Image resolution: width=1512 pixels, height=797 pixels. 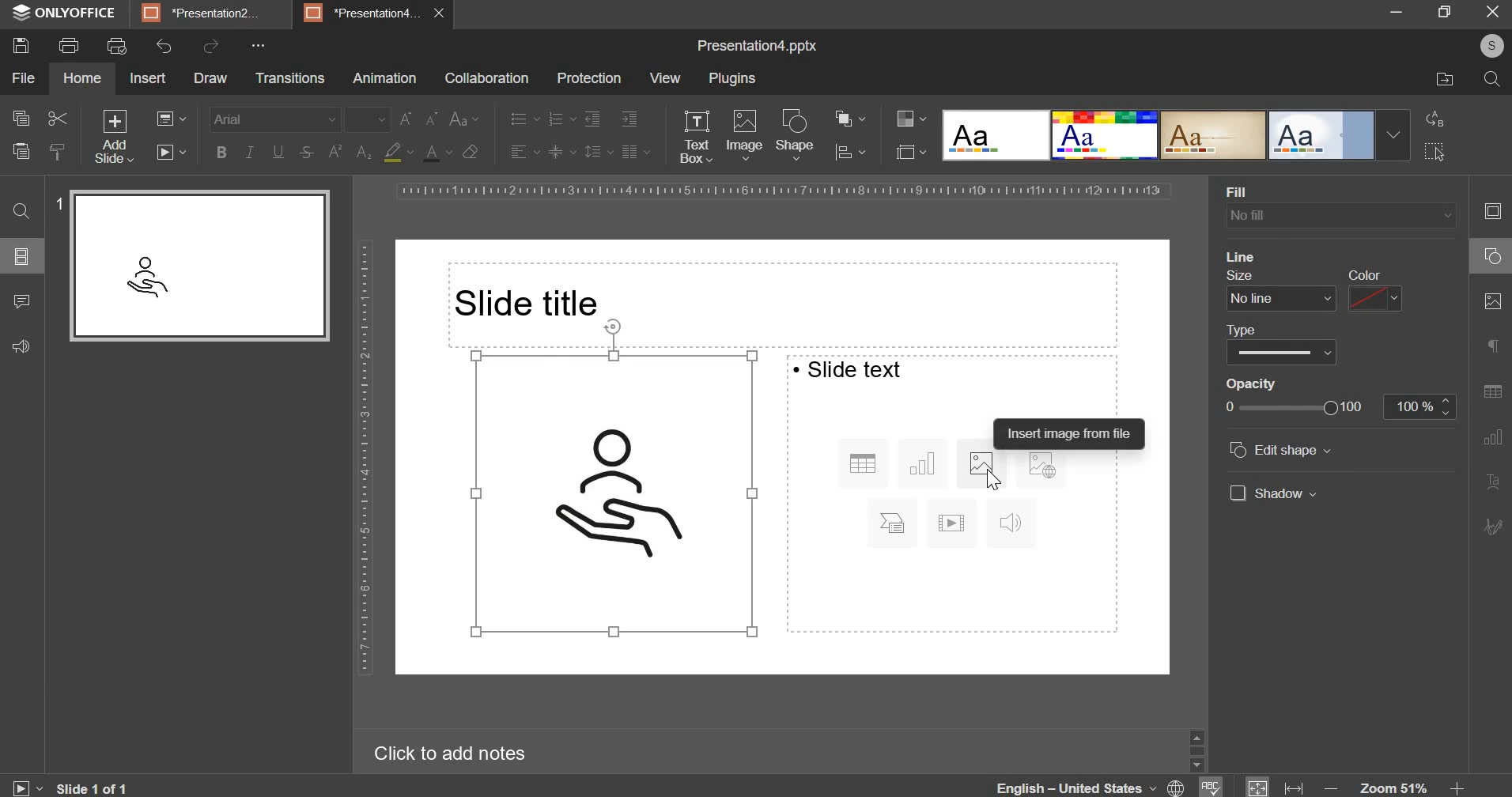 What do you see at coordinates (1491, 81) in the screenshot?
I see `search` at bounding box center [1491, 81].